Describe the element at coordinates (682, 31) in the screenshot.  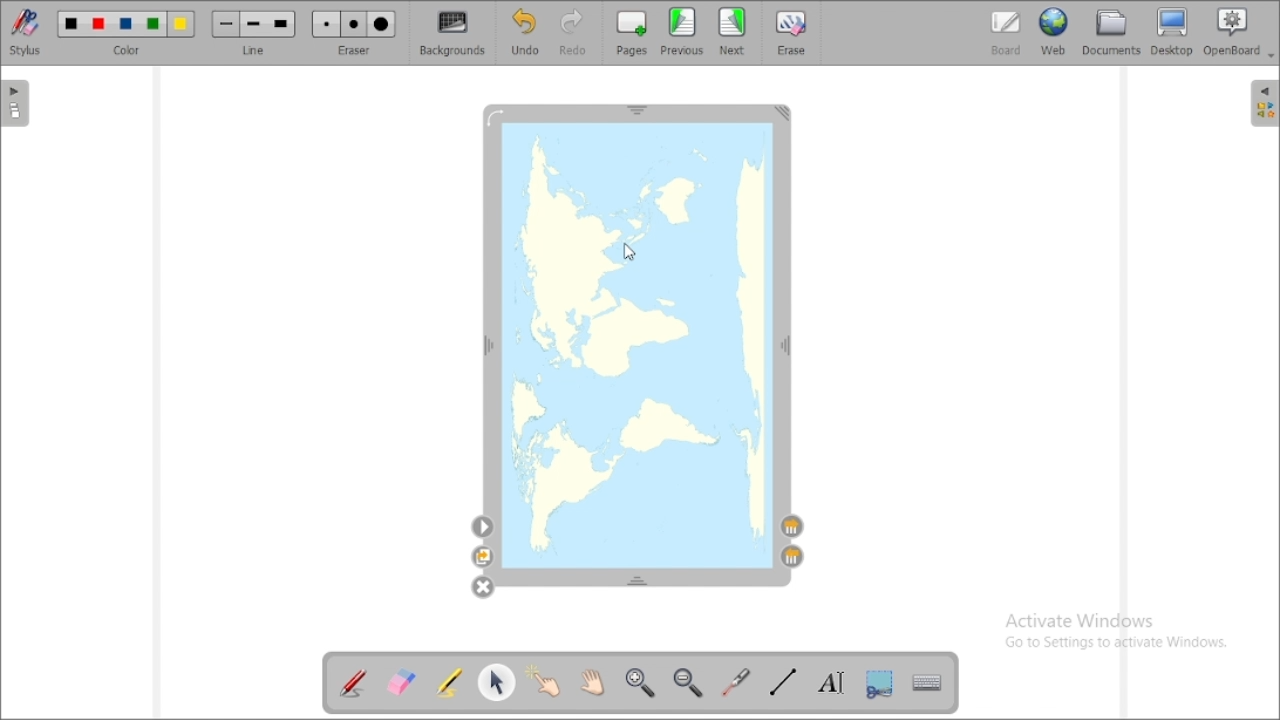
I see `previous` at that location.